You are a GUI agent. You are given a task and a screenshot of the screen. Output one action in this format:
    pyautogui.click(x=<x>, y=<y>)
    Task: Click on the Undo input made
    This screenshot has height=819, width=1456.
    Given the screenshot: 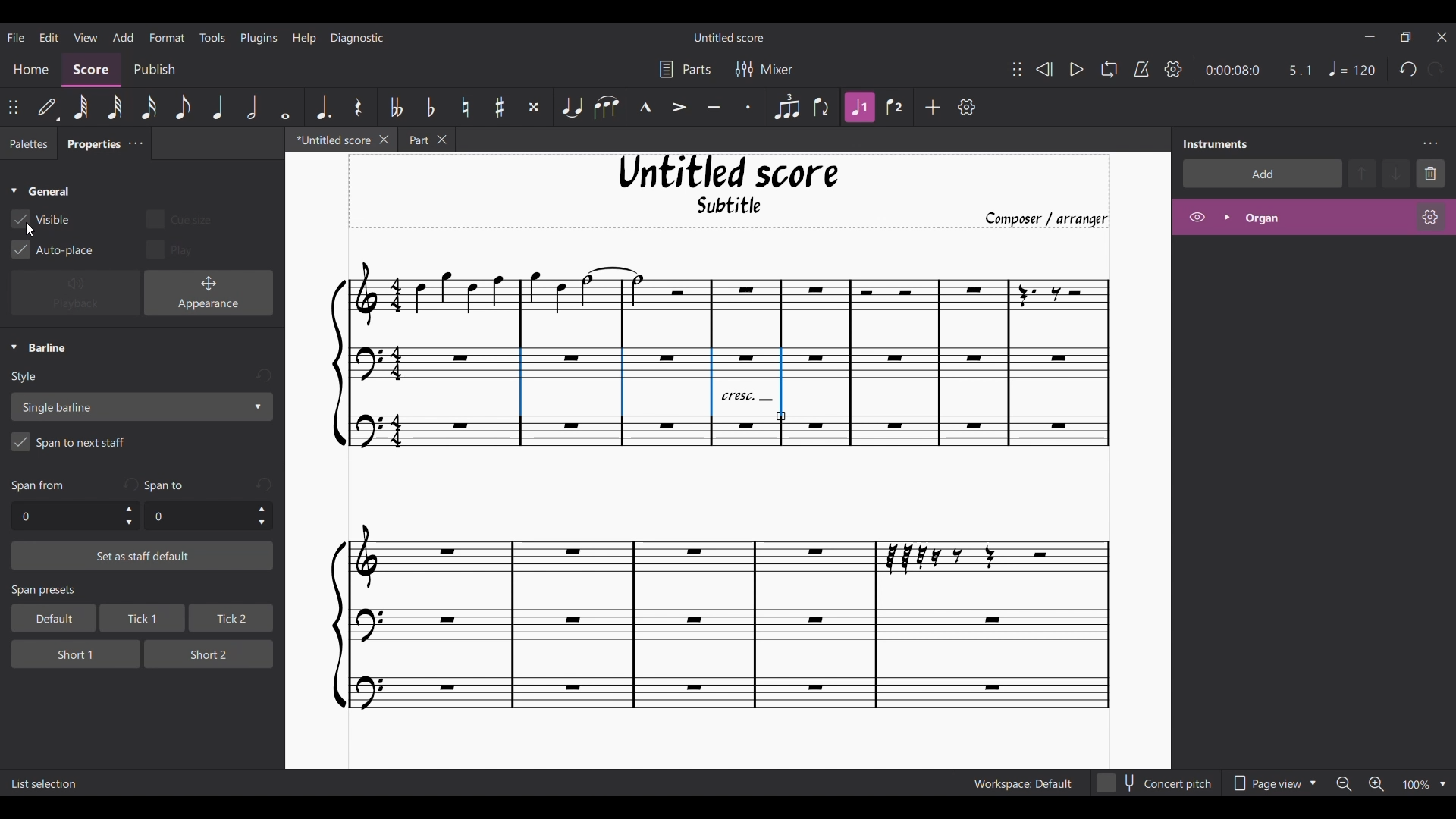 What is the action you would take?
    pyautogui.click(x=130, y=484)
    